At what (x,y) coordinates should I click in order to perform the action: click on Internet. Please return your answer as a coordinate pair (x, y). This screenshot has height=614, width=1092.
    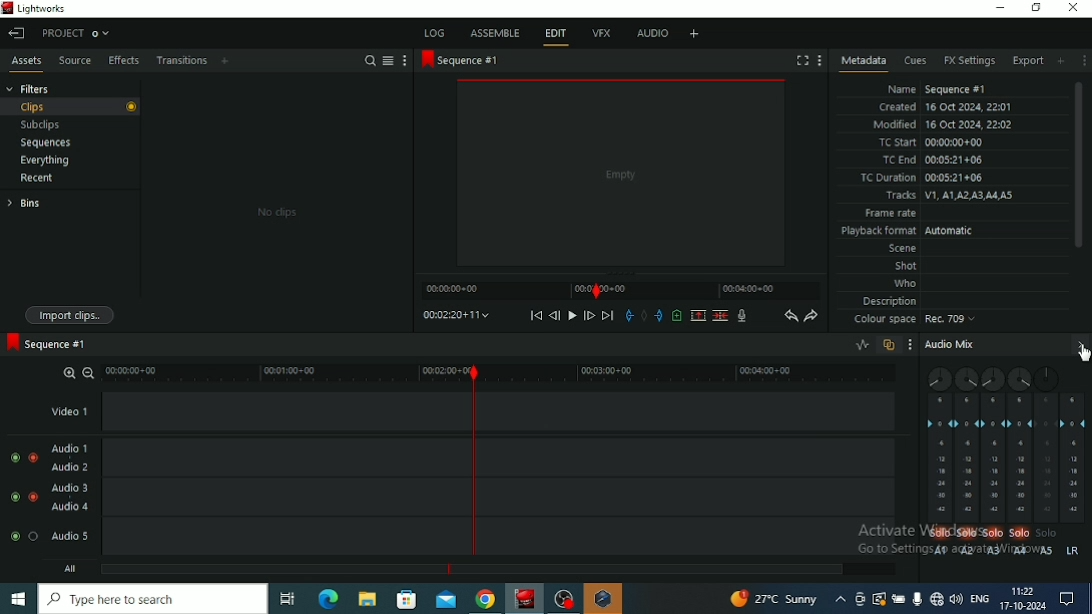
    Looking at the image, I should click on (937, 599).